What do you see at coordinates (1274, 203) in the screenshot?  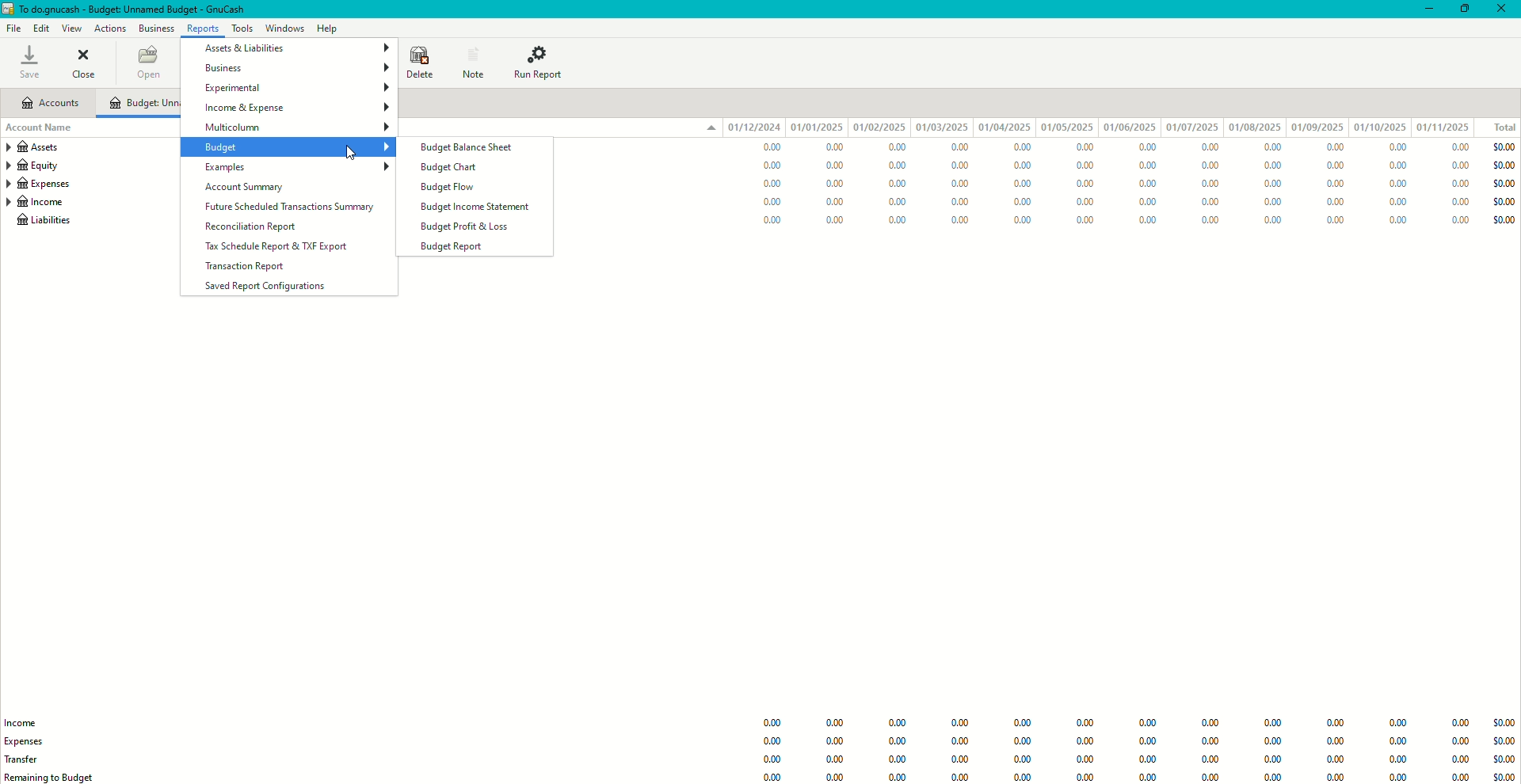 I see `0.00` at bounding box center [1274, 203].